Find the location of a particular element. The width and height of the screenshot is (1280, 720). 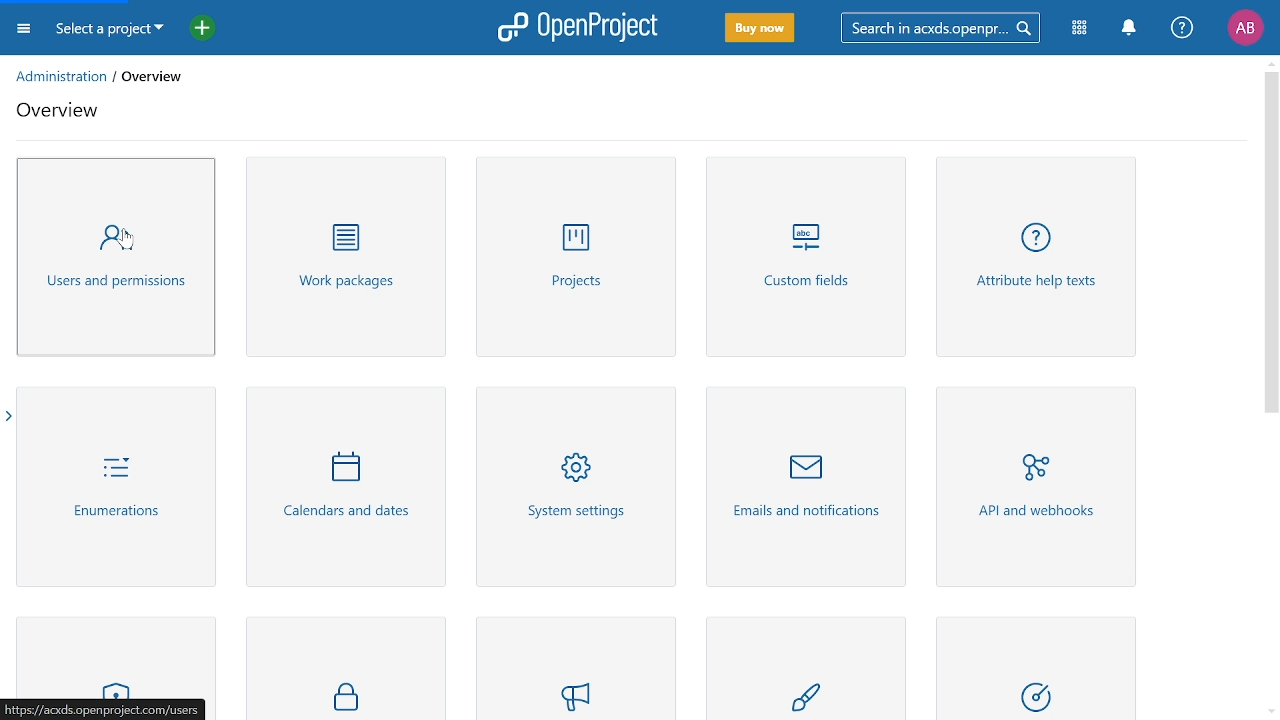

Projects is located at coordinates (574, 258).